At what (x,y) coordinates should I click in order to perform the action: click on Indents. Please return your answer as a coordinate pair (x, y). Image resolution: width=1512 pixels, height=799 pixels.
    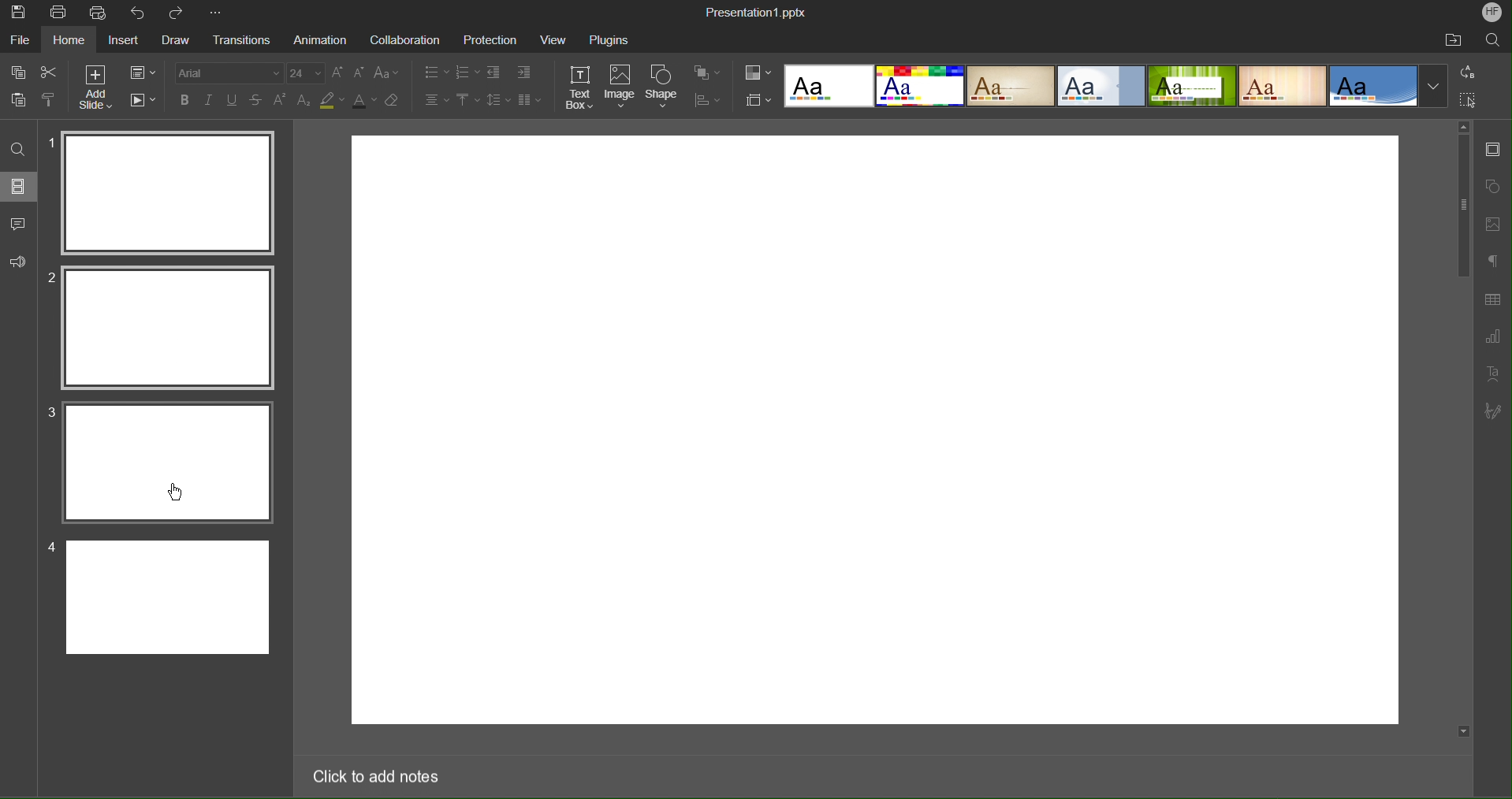
    Looking at the image, I should click on (513, 71).